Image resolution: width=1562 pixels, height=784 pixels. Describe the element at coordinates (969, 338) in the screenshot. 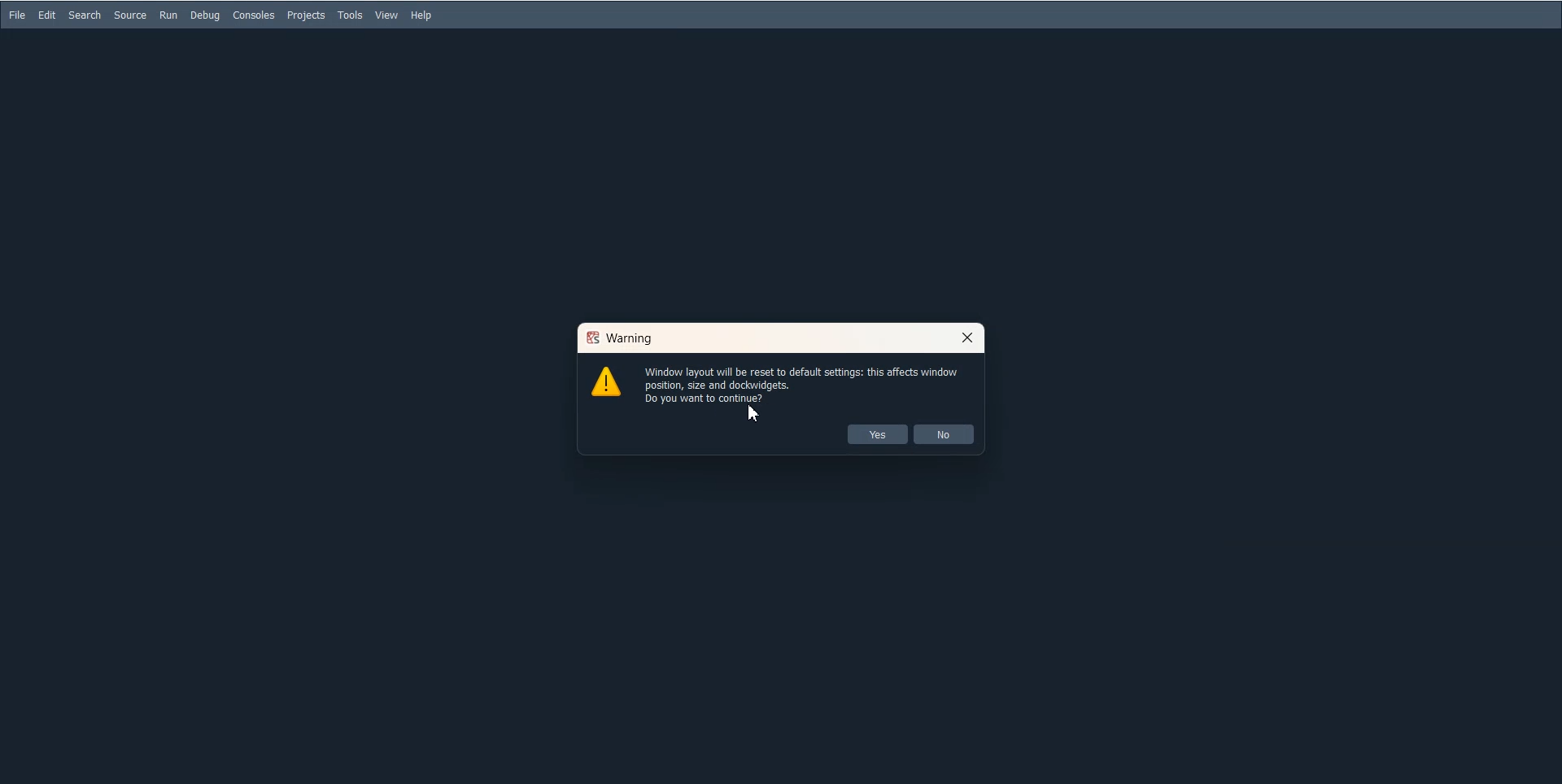

I see `Cursor` at that location.